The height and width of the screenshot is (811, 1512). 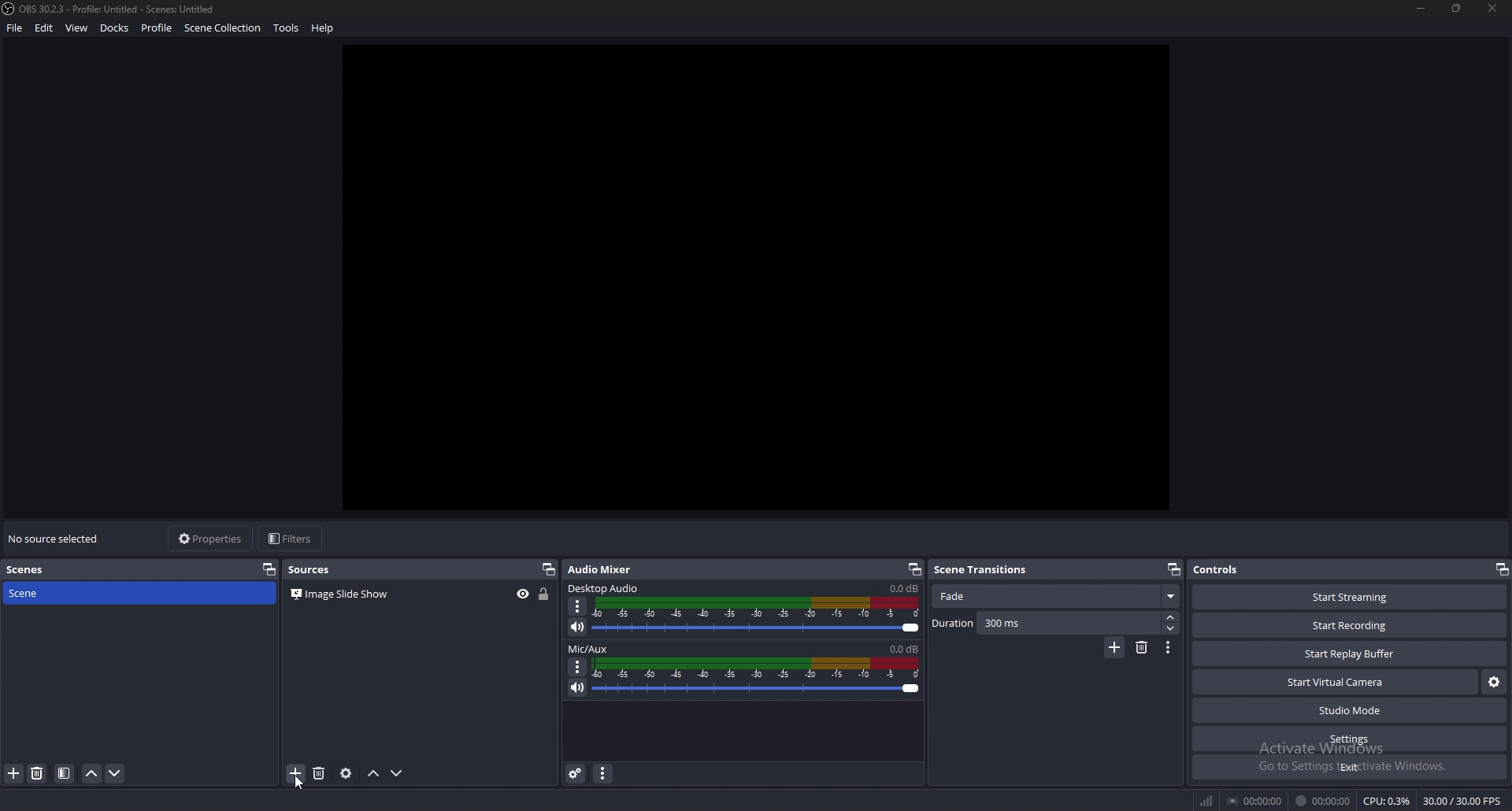 I want to click on profile, so click(x=157, y=28).